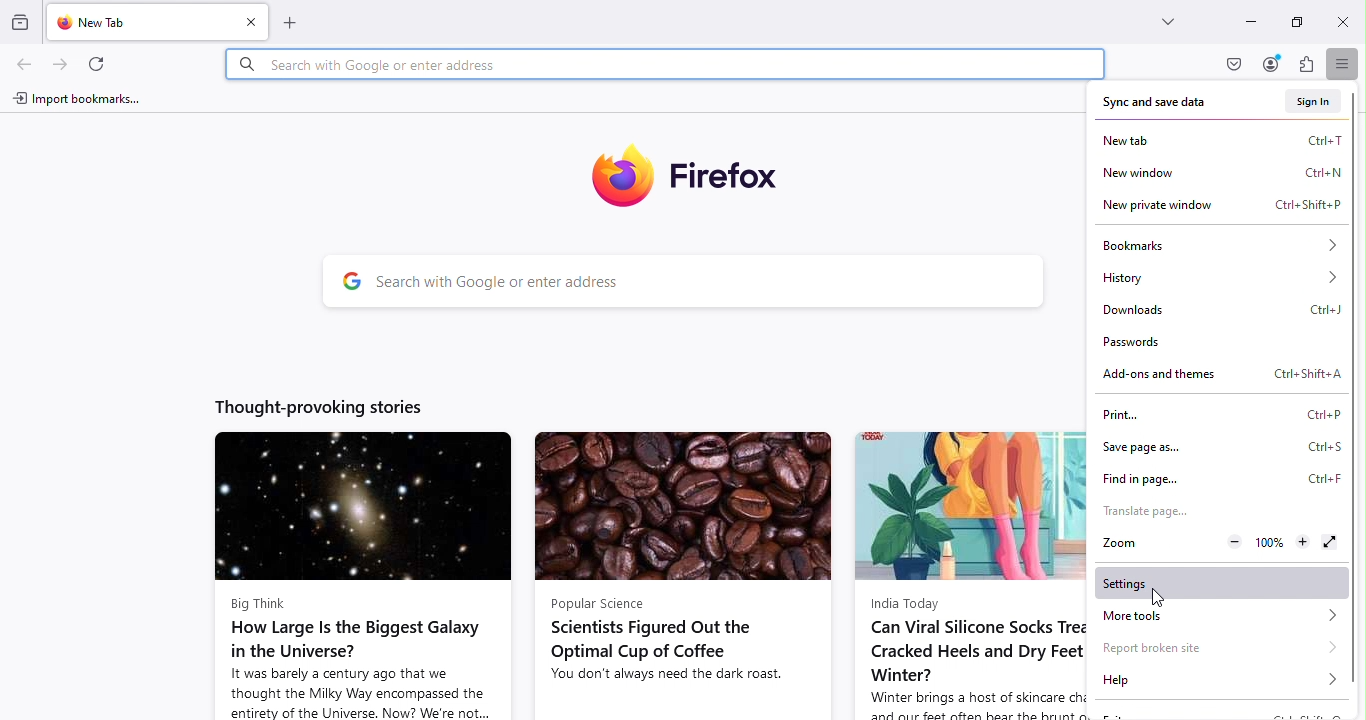  I want to click on Bookmarks, so click(1216, 244).